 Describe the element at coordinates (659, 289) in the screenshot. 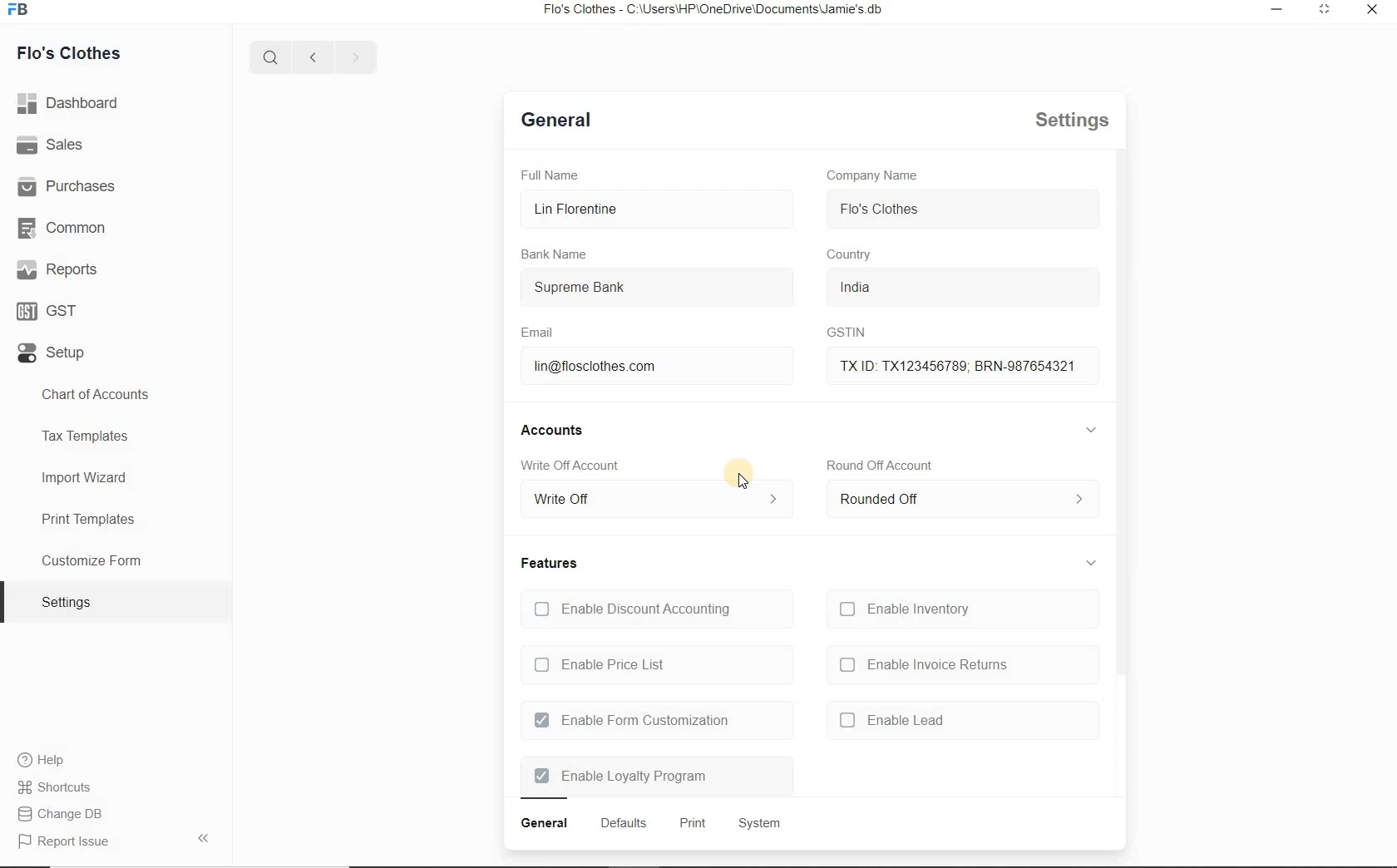

I see `Supreme Bank` at that location.